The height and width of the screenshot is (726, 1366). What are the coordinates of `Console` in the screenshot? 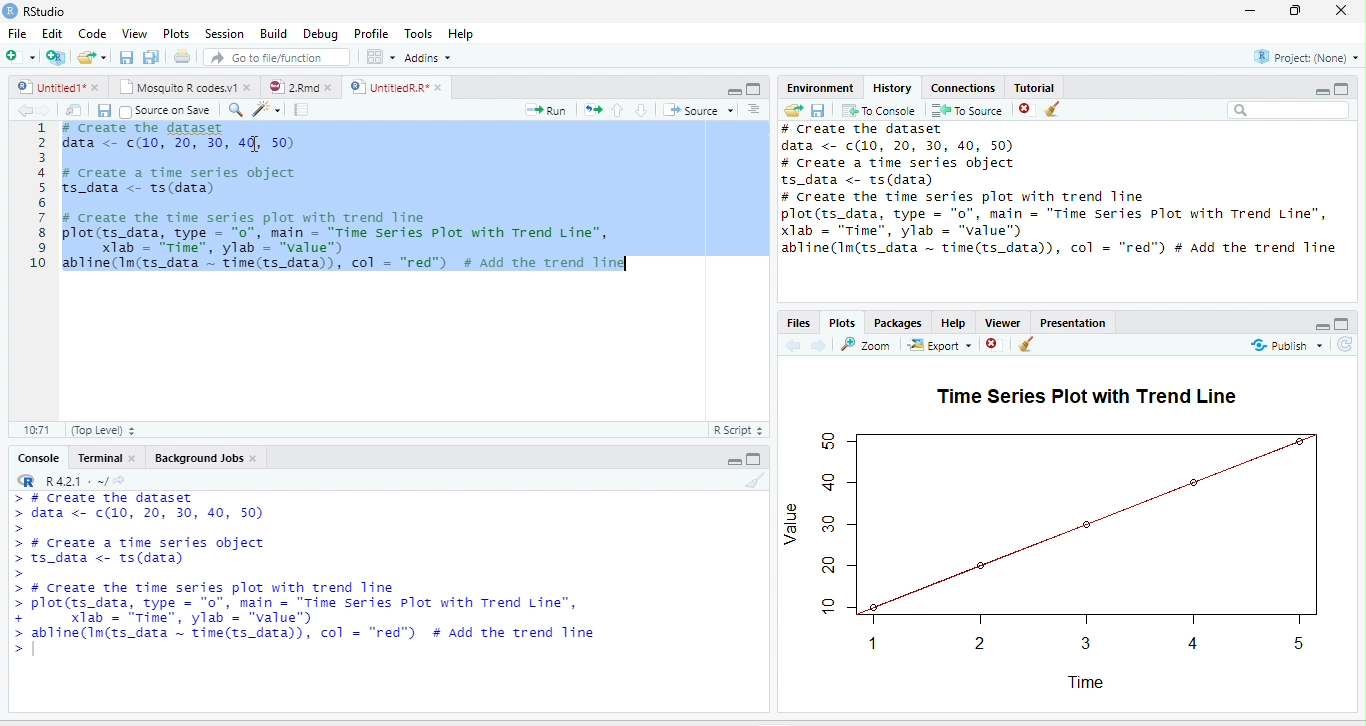 It's located at (39, 458).